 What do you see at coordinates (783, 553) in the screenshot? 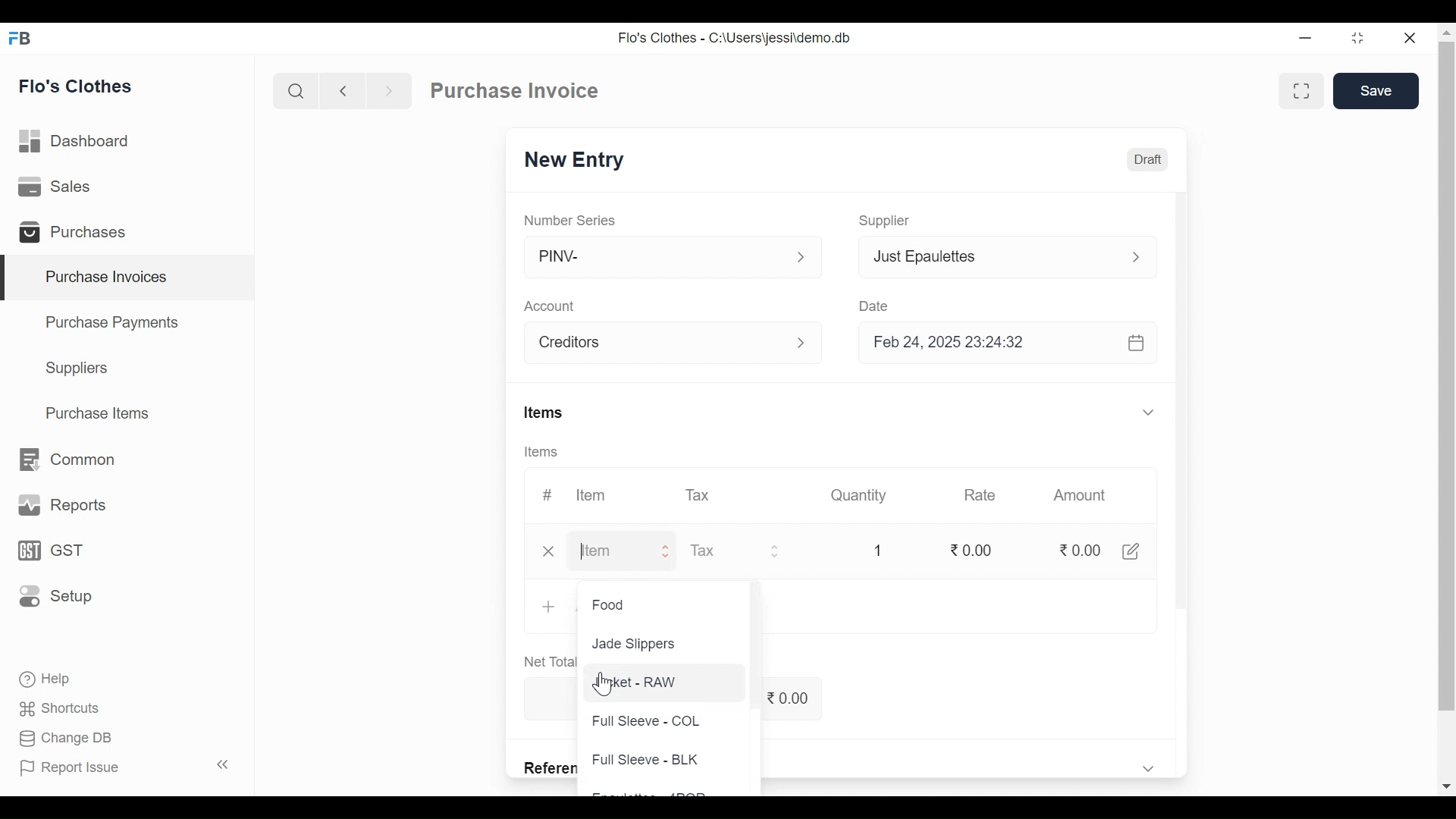
I see `Expand` at bounding box center [783, 553].